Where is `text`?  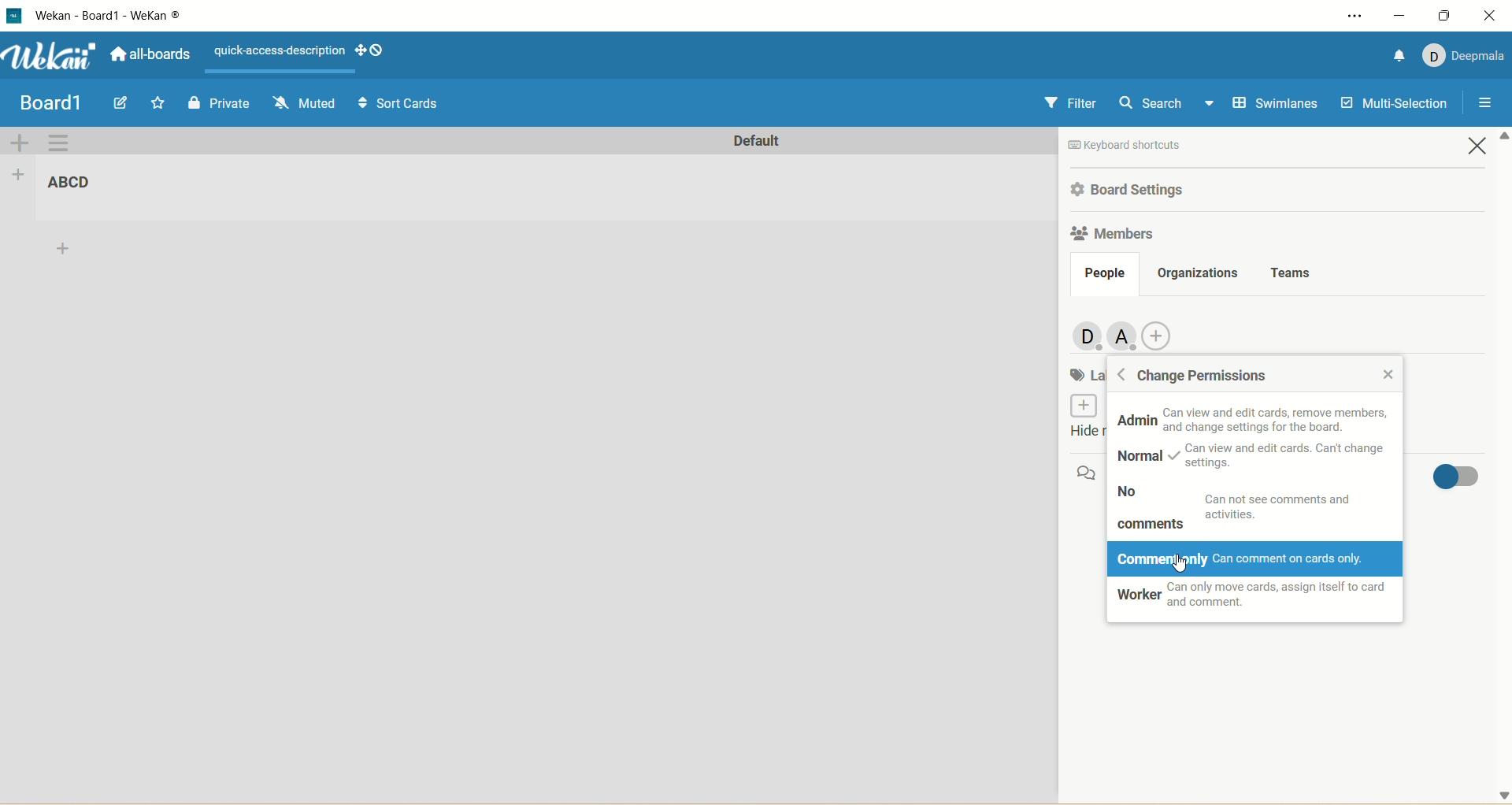
text is located at coordinates (276, 49).